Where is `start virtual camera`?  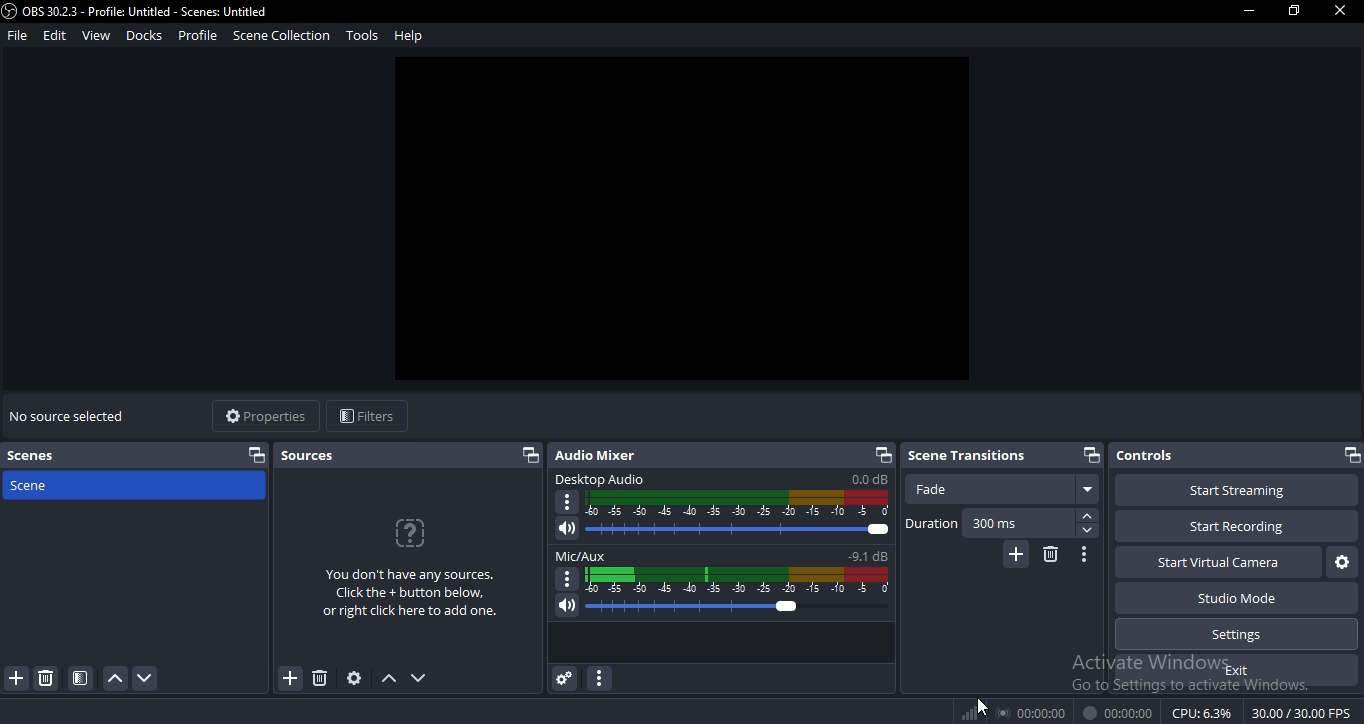 start virtual camera is located at coordinates (1339, 563).